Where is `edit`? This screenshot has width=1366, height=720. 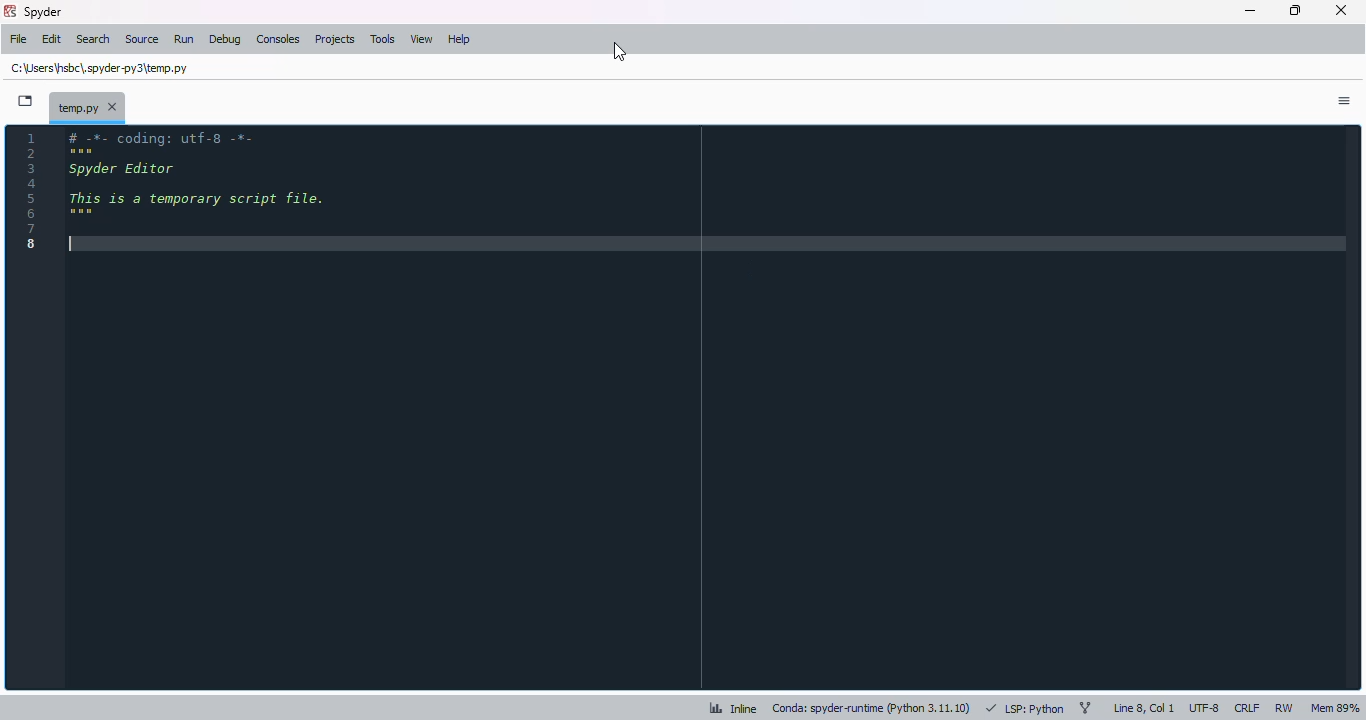 edit is located at coordinates (52, 39).